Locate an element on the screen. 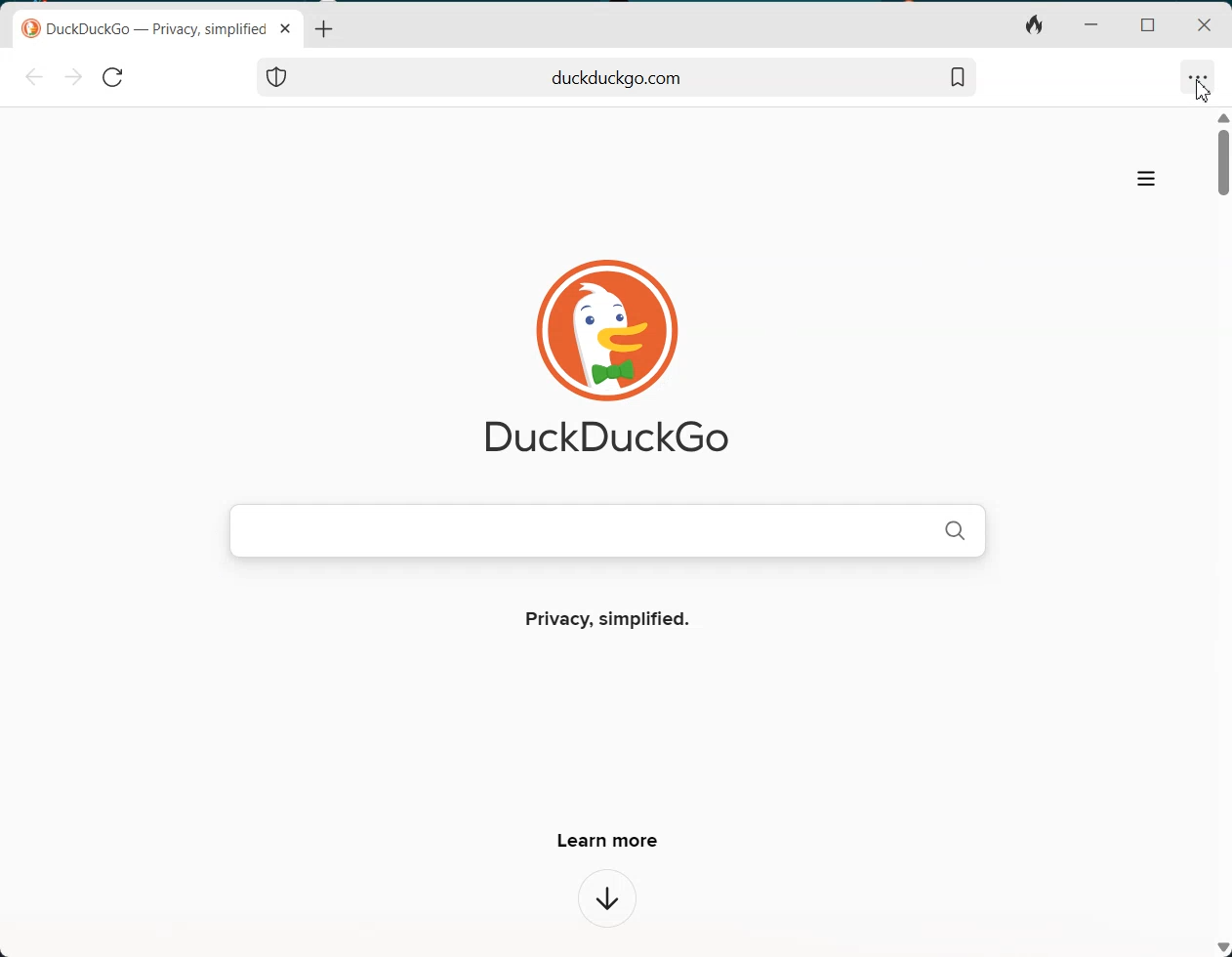  Search bar is located at coordinates (617, 77).